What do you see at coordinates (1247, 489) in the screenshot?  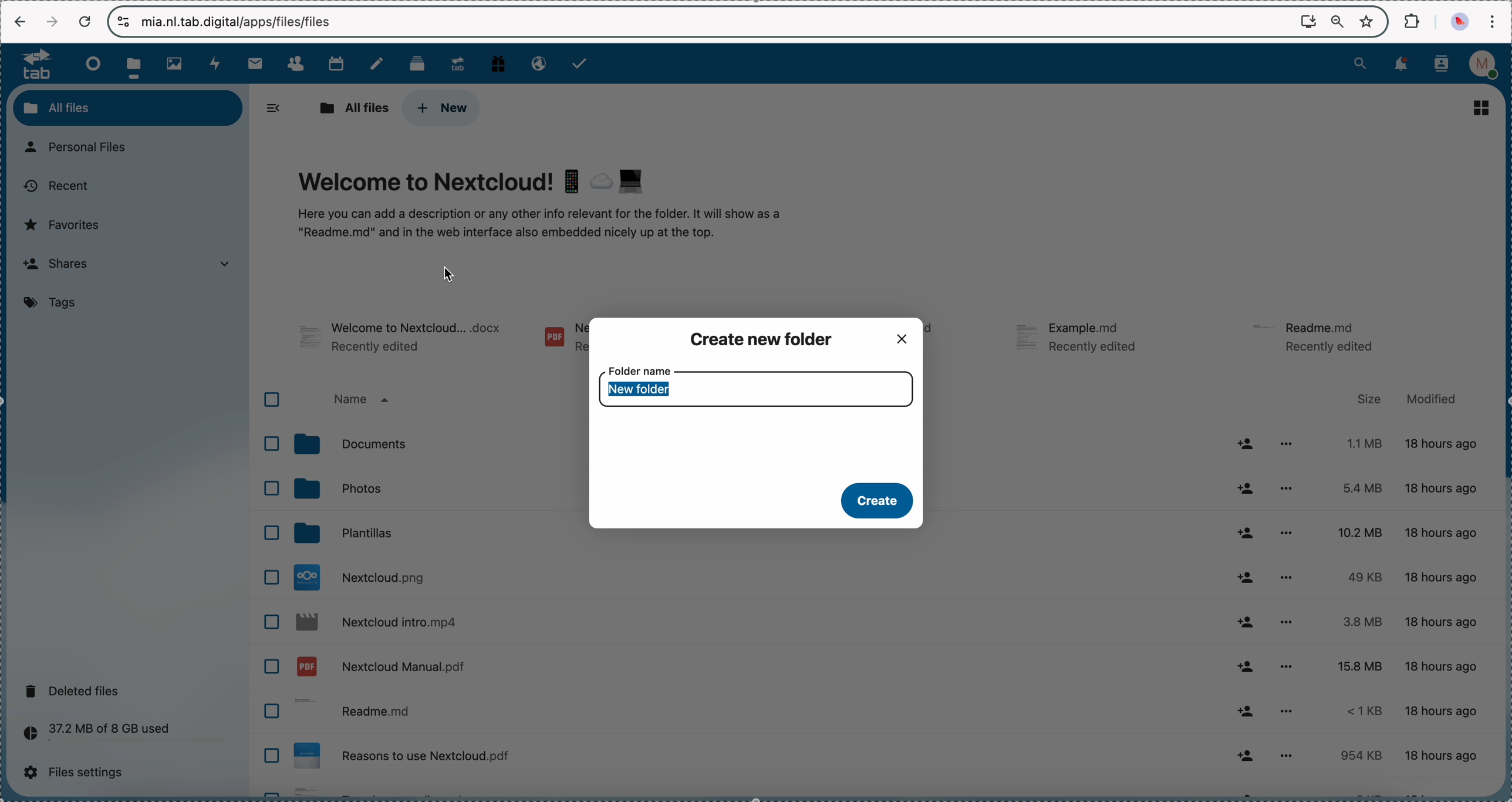 I see `share` at bounding box center [1247, 489].